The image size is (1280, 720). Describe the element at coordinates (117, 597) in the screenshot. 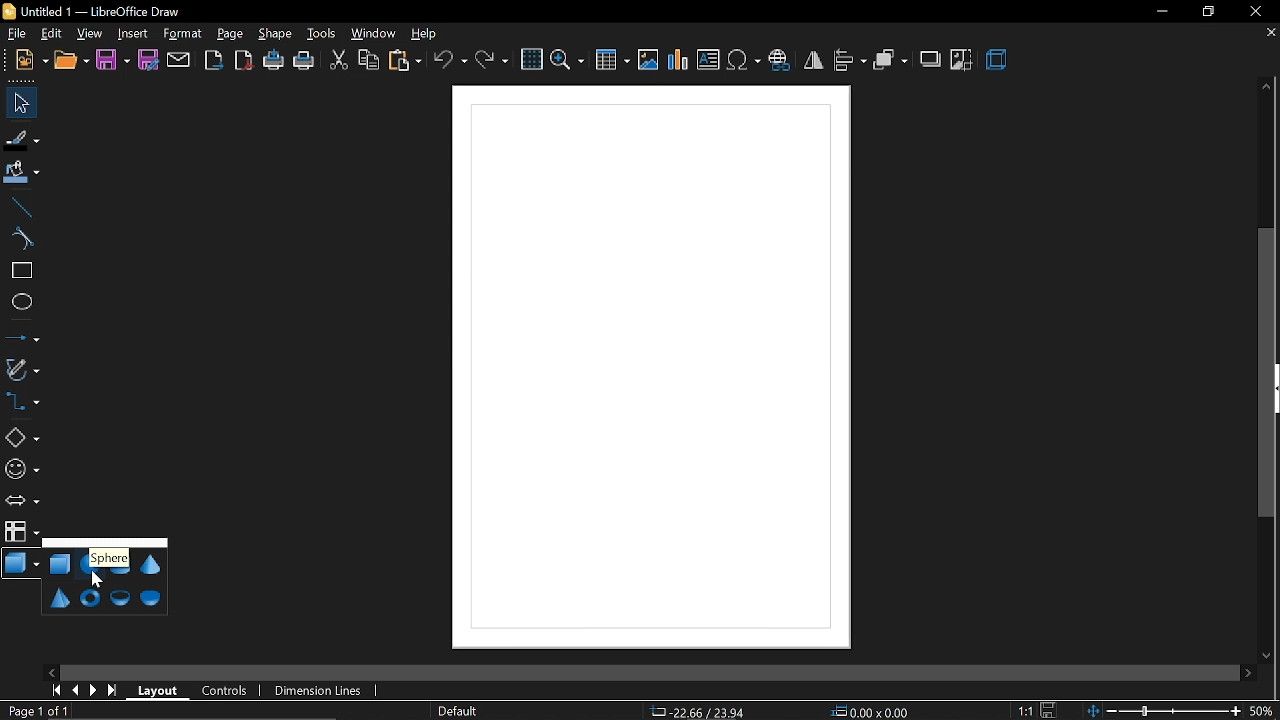

I see `shell` at that location.